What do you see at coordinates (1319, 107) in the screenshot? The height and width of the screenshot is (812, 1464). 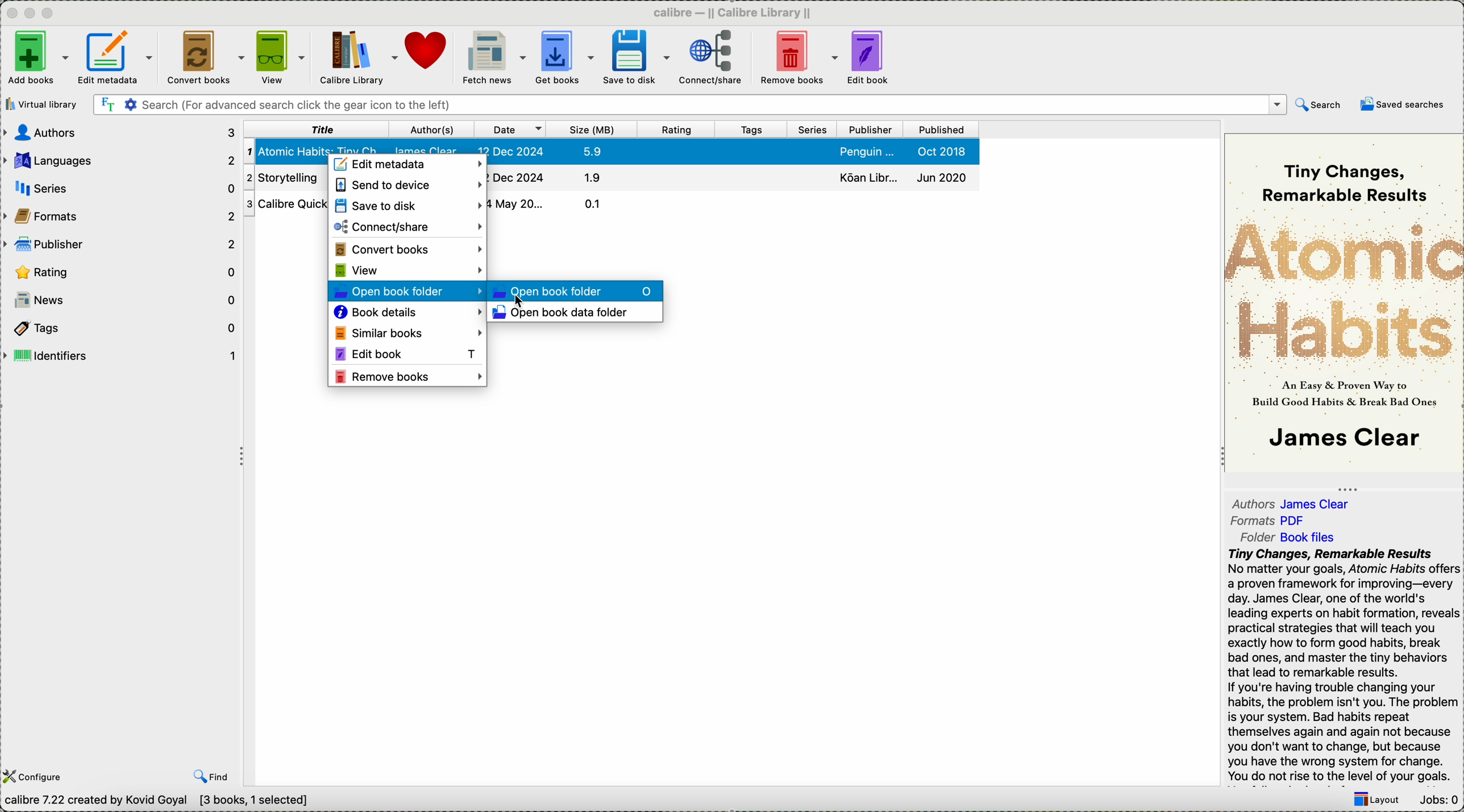 I see `search` at bounding box center [1319, 107].